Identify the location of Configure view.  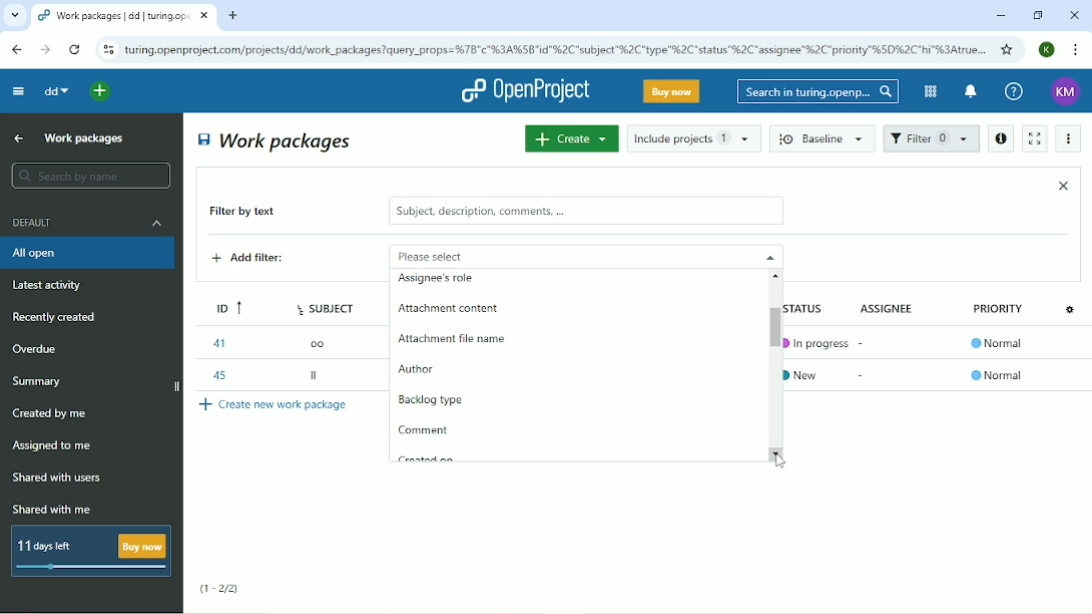
(1072, 308).